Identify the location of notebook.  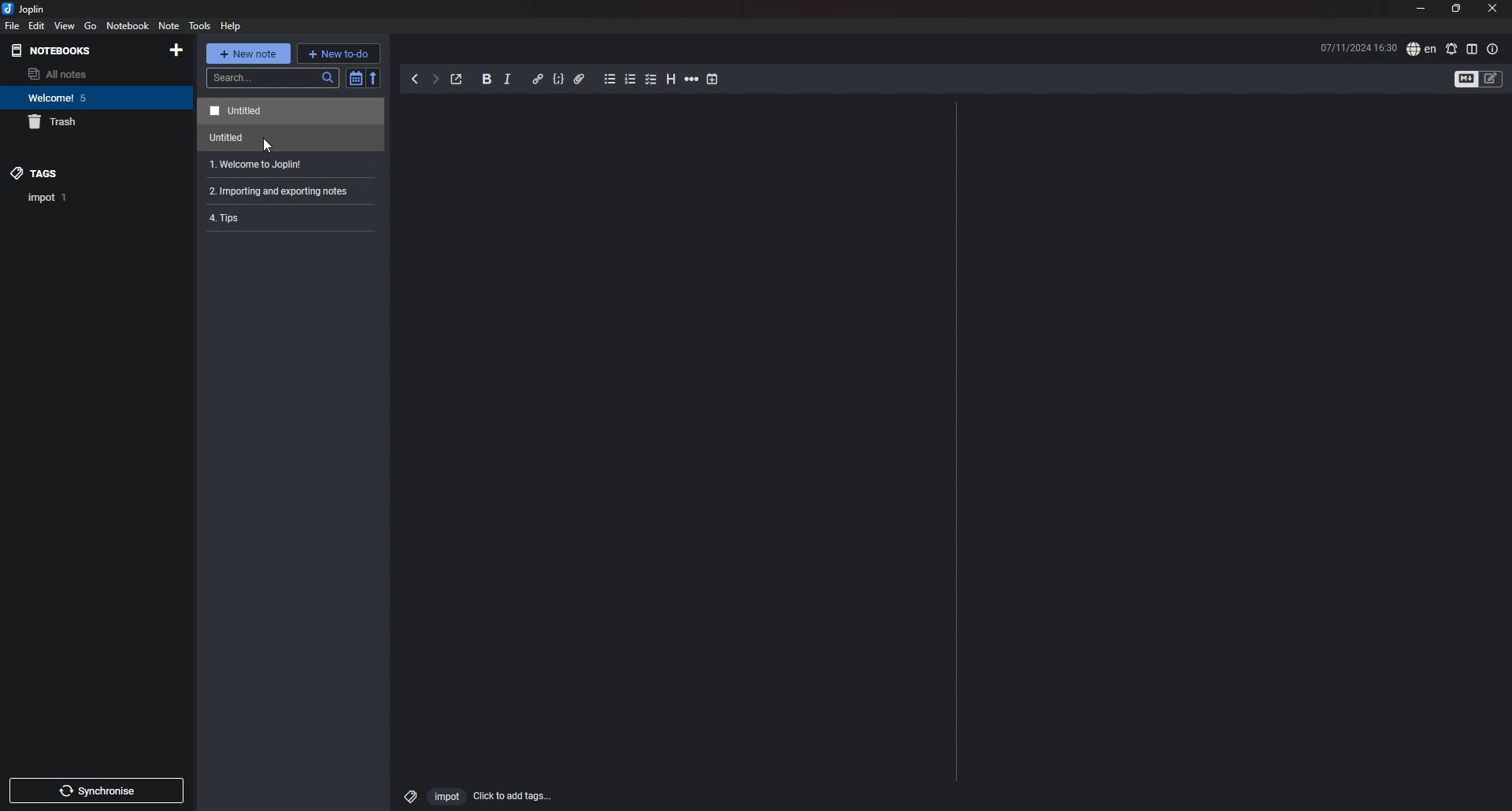
(80, 98).